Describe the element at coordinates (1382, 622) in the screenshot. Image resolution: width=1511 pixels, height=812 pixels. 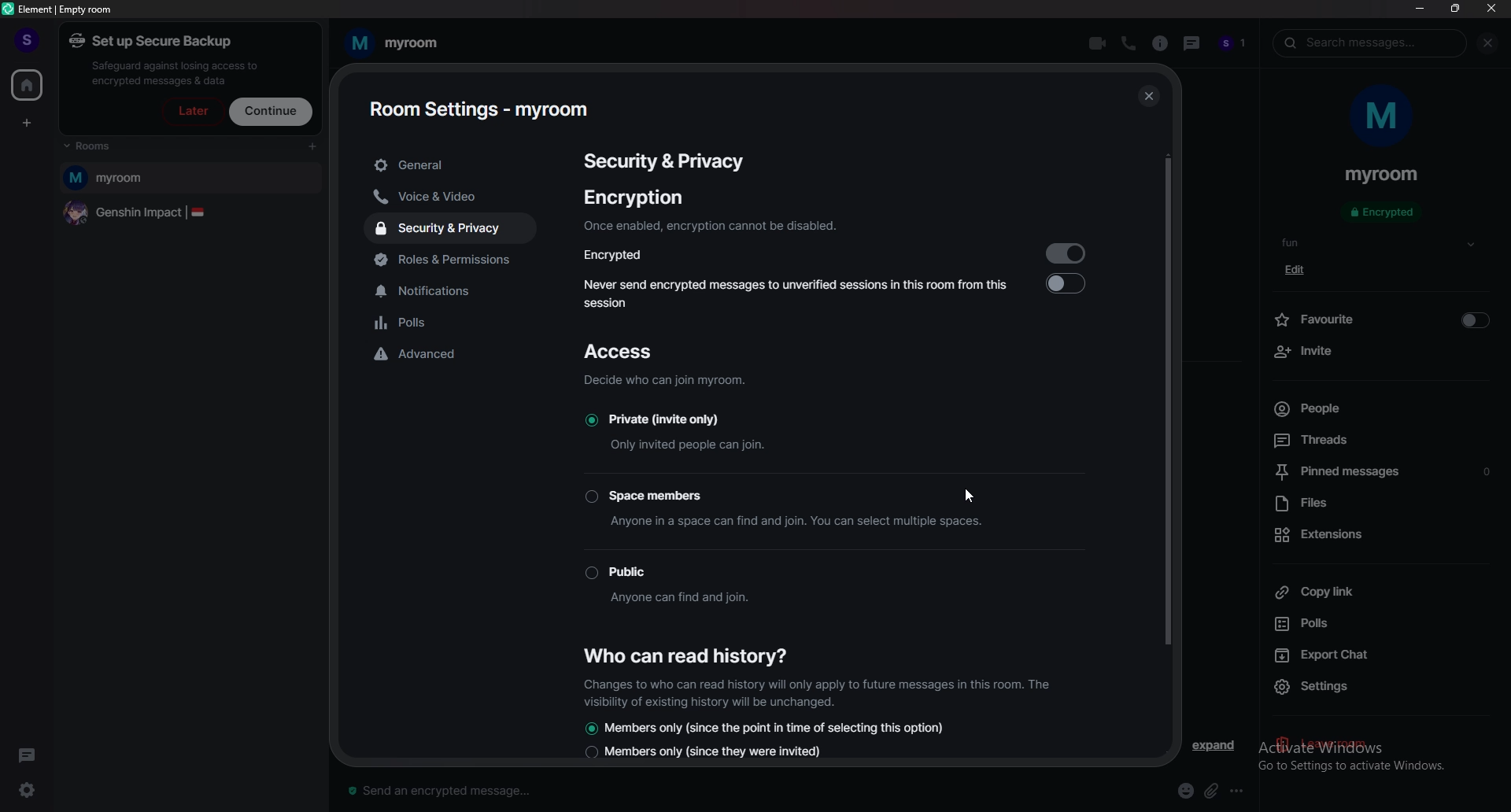
I see `polls` at that location.